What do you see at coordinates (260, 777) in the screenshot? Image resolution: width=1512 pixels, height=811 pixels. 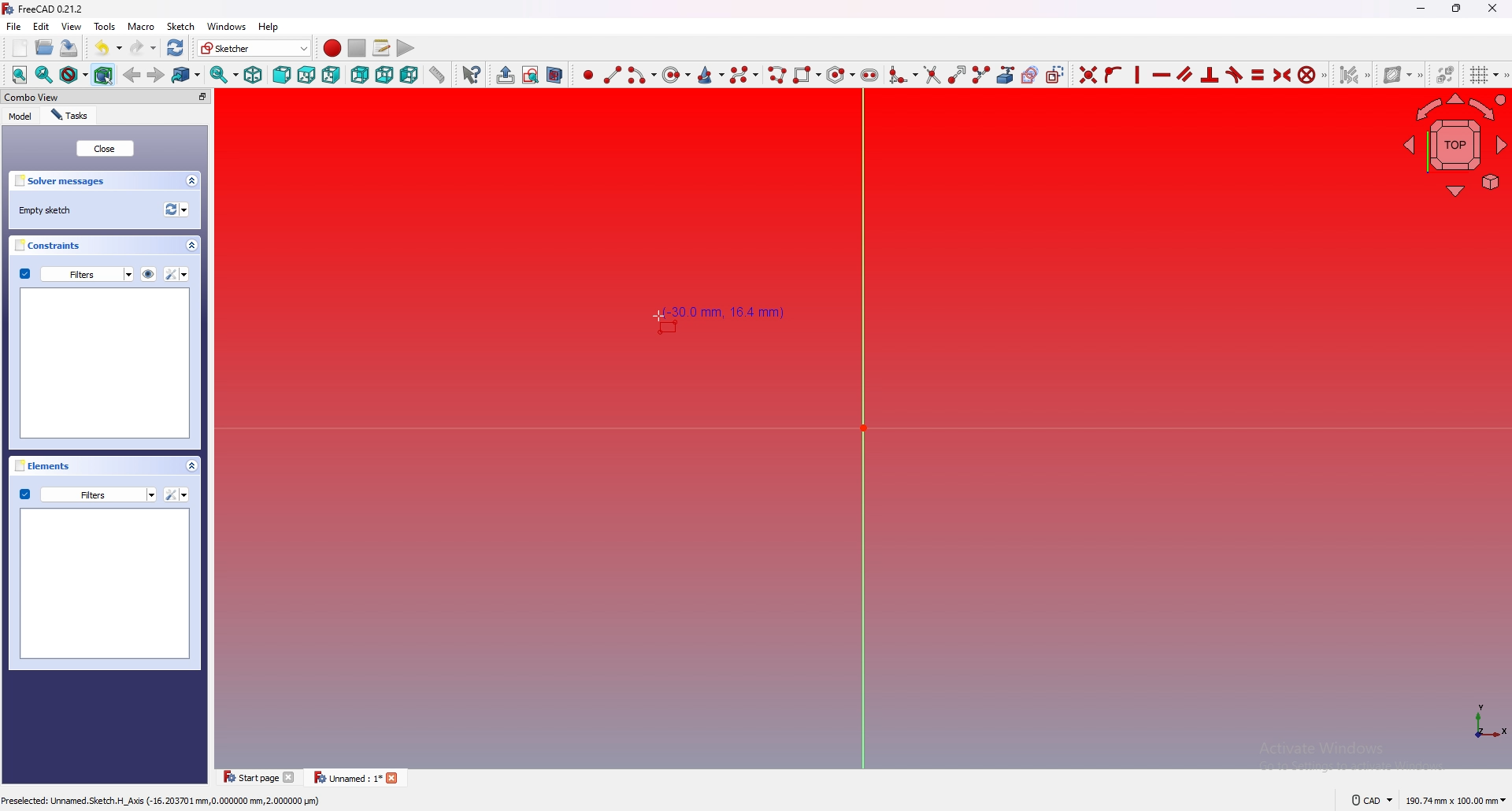 I see `tab` at bounding box center [260, 777].